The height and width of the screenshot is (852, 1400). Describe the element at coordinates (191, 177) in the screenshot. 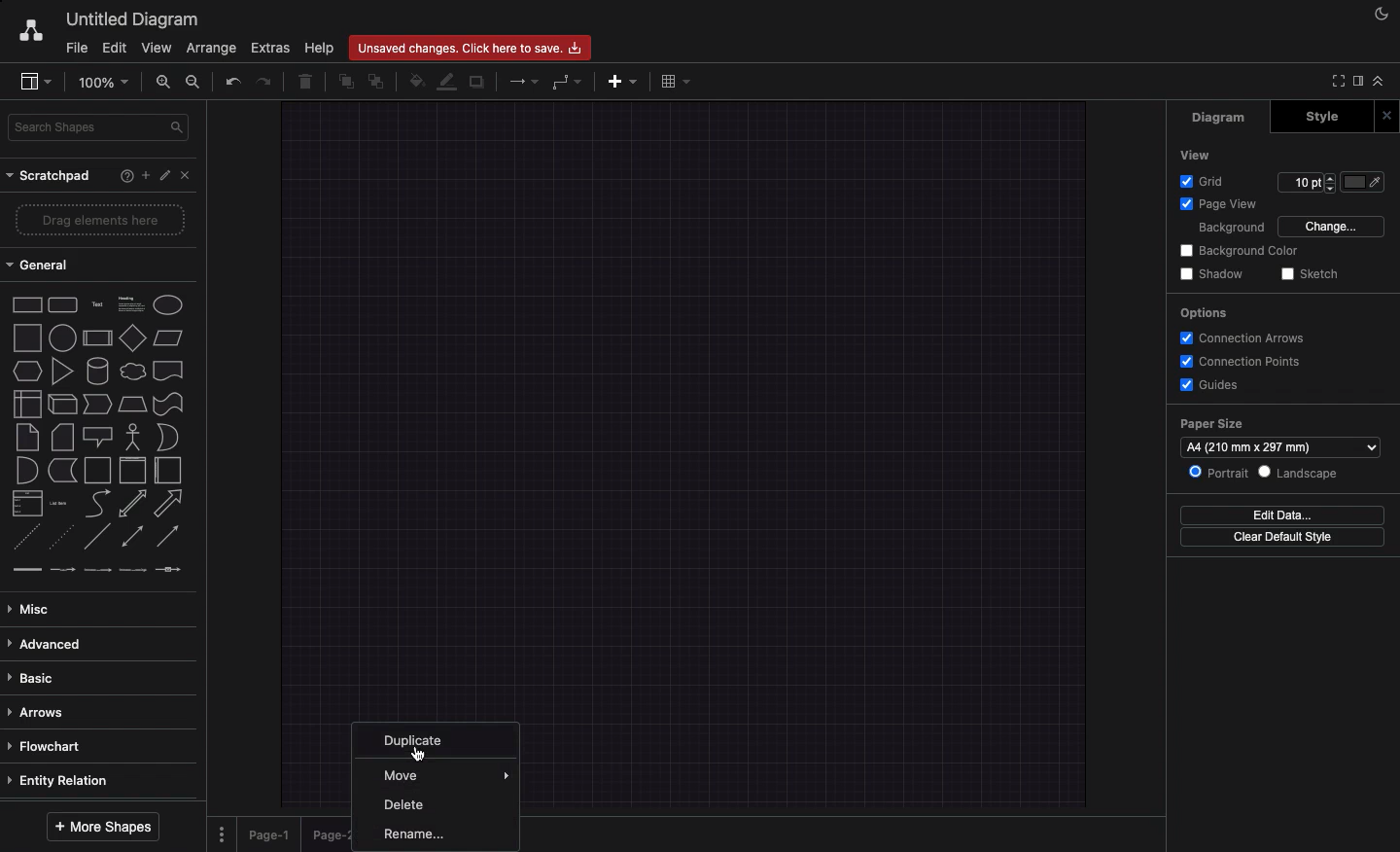

I see `Close` at that location.